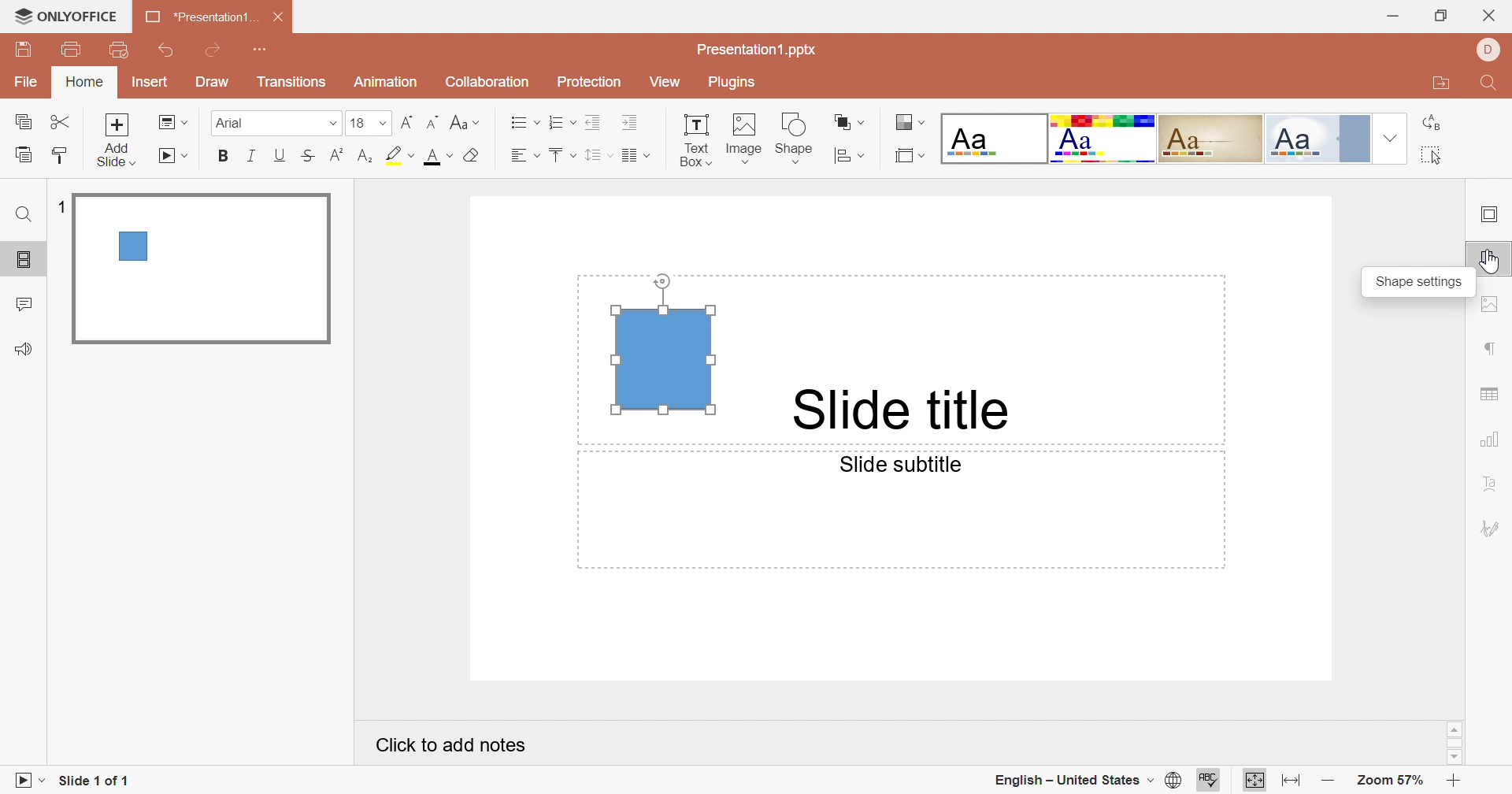 The width and height of the screenshot is (1512, 794). Describe the element at coordinates (368, 123) in the screenshot. I see `13` at that location.